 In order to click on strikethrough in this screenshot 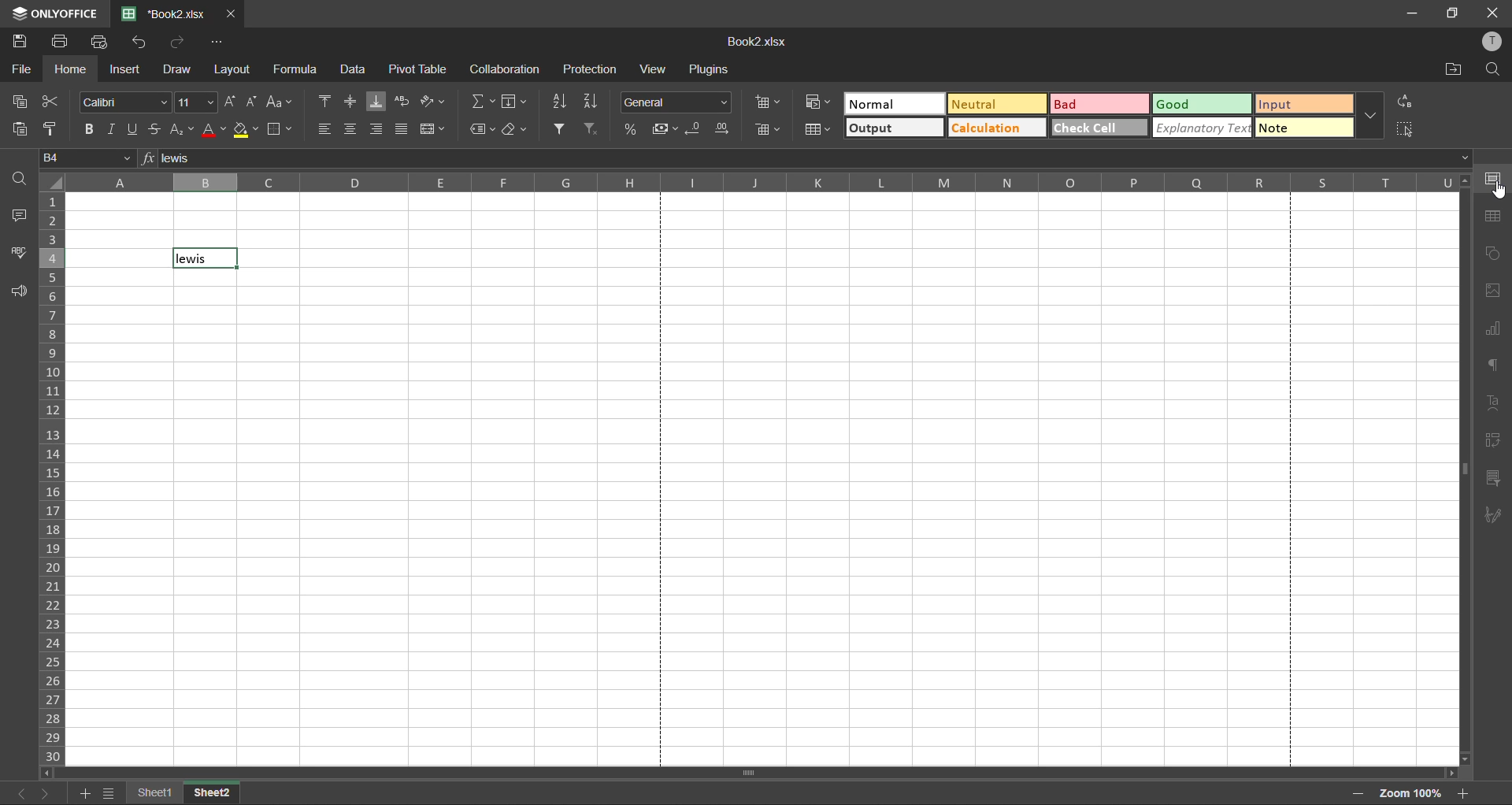, I will do `click(154, 131)`.